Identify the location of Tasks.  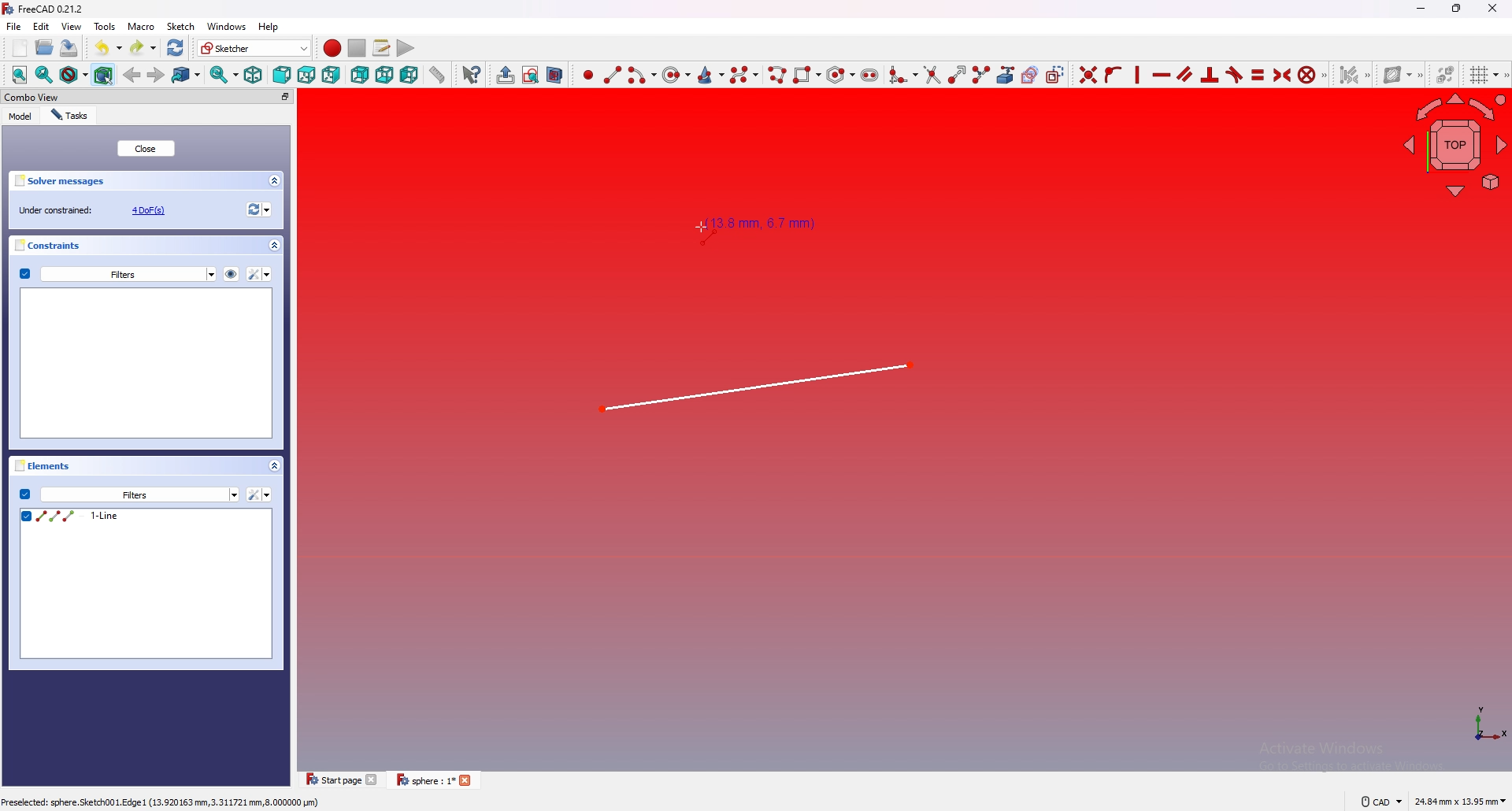
(72, 115).